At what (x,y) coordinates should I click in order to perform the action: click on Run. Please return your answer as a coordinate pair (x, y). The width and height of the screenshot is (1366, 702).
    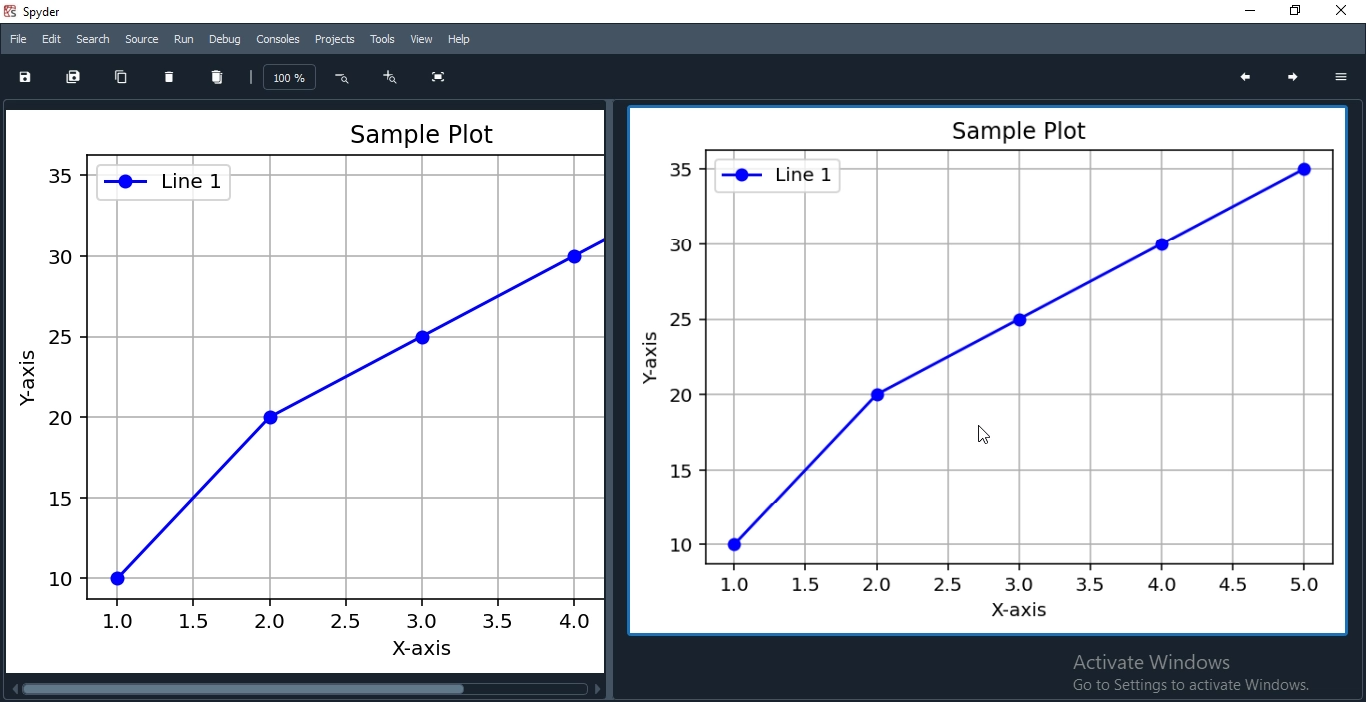
    Looking at the image, I should click on (183, 39).